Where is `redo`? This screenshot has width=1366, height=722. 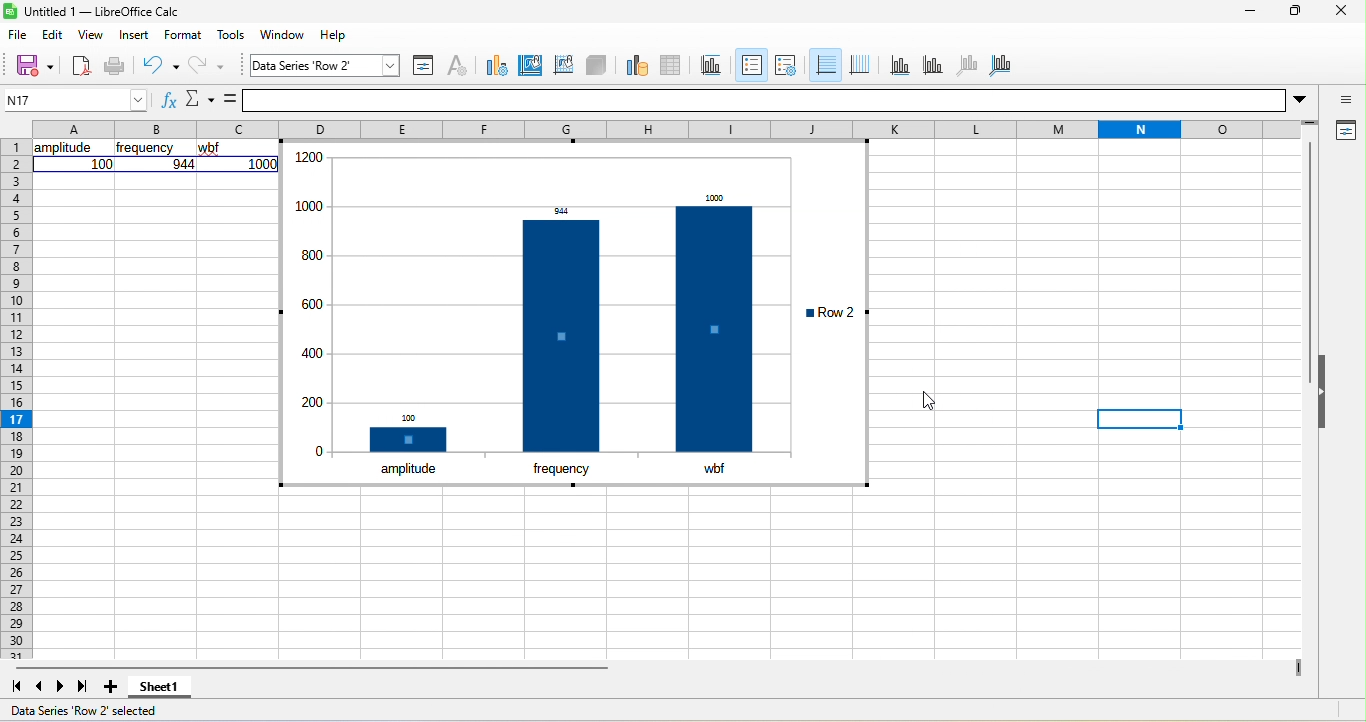
redo is located at coordinates (208, 66).